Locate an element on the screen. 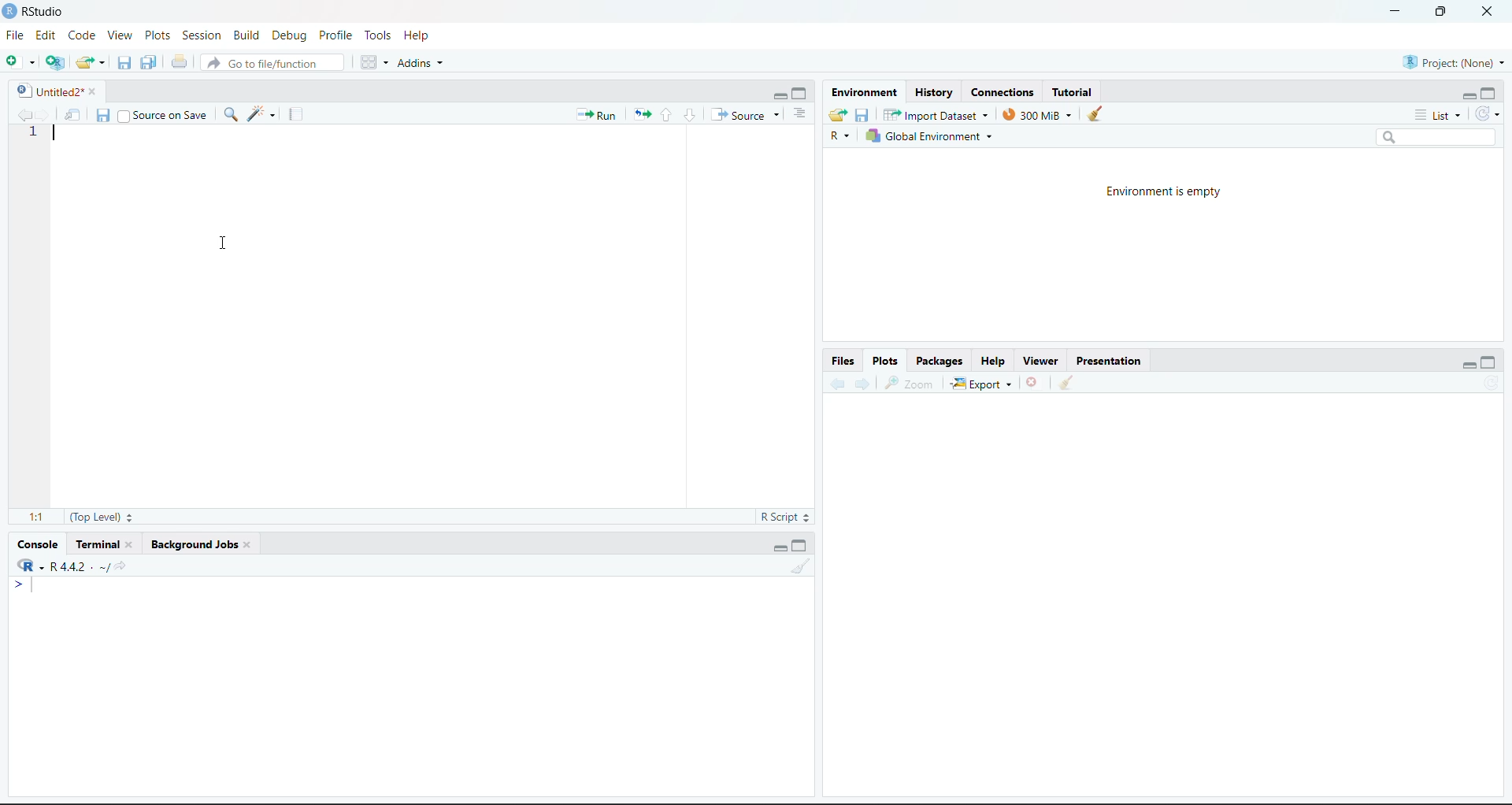 The image size is (1512, 805). clear all plots is located at coordinates (1069, 384).